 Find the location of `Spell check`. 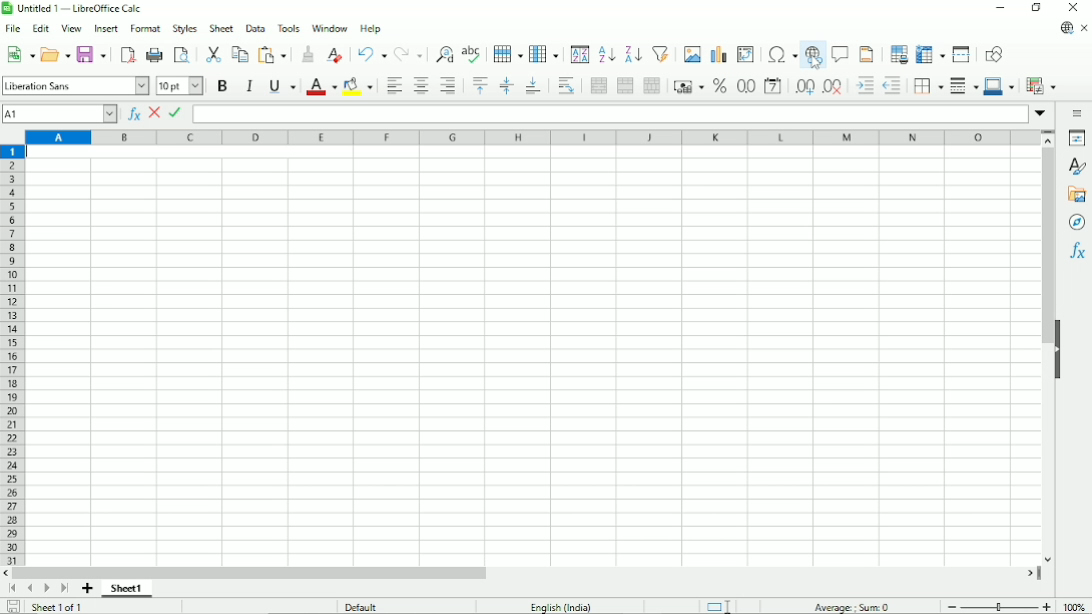

Spell check is located at coordinates (473, 54).